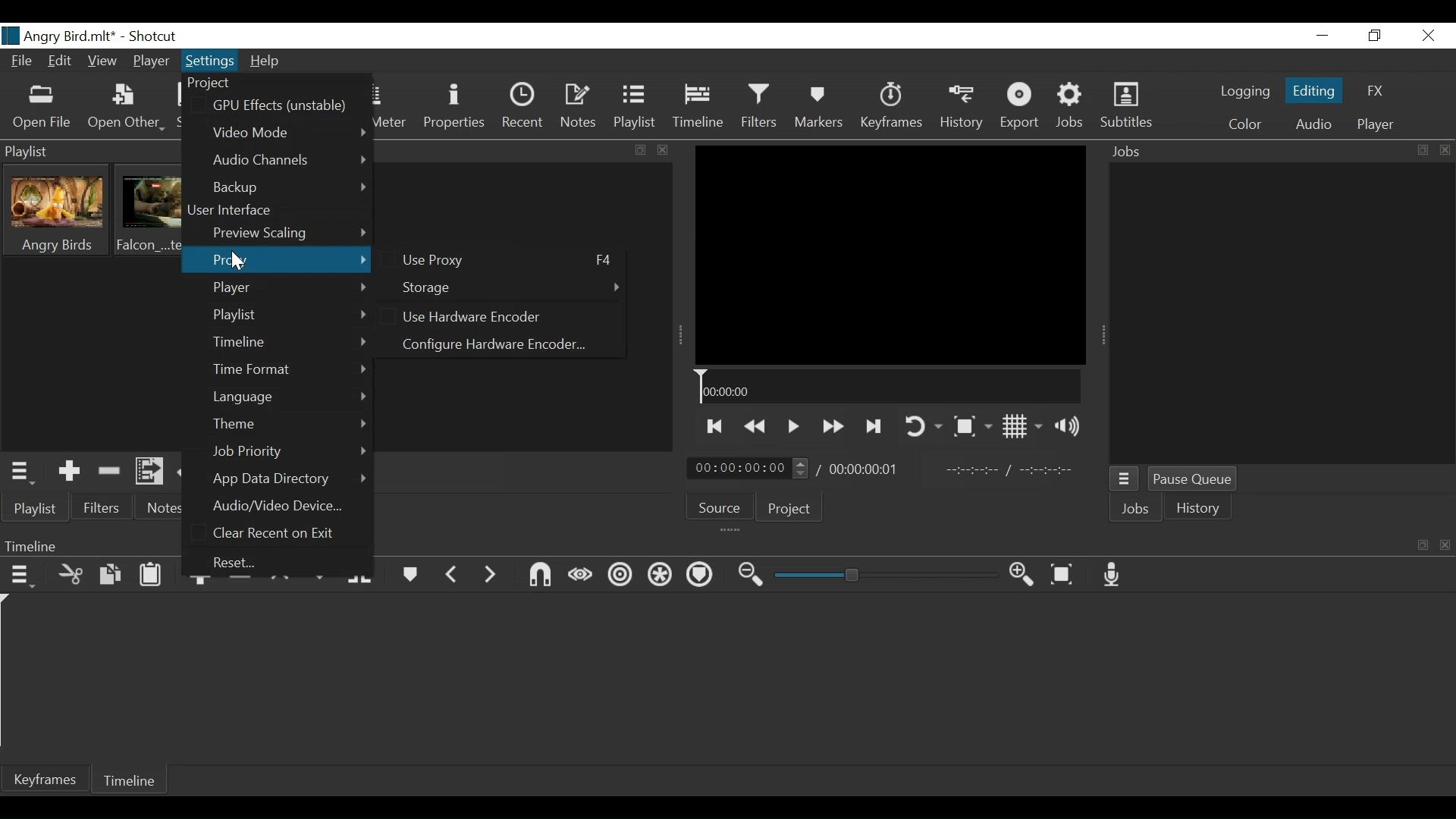  What do you see at coordinates (1127, 106) in the screenshot?
I see `Subtitles` at bounding box center [1127, 106].